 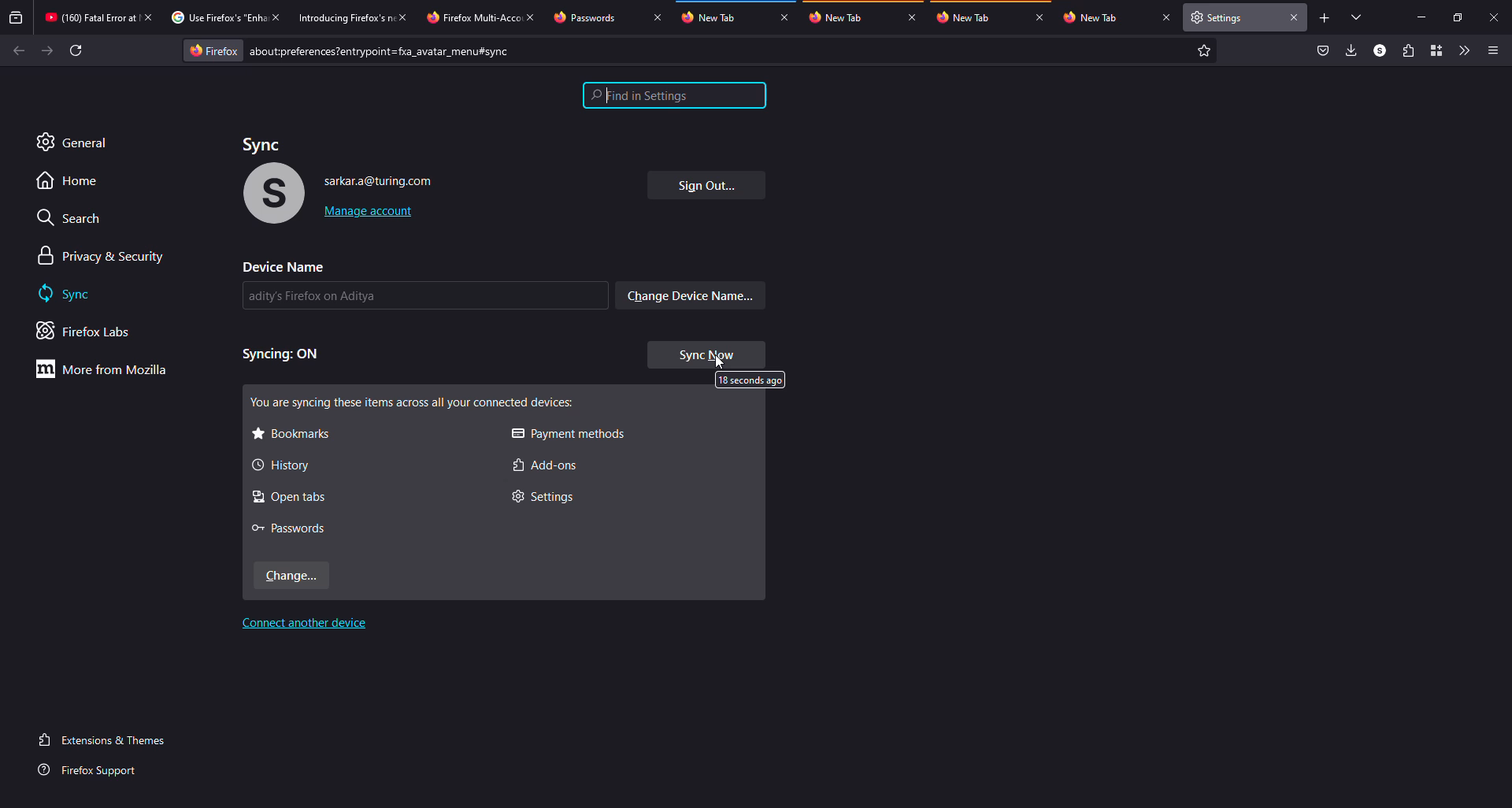 I want to click on tab, so click(x=723, y=18).